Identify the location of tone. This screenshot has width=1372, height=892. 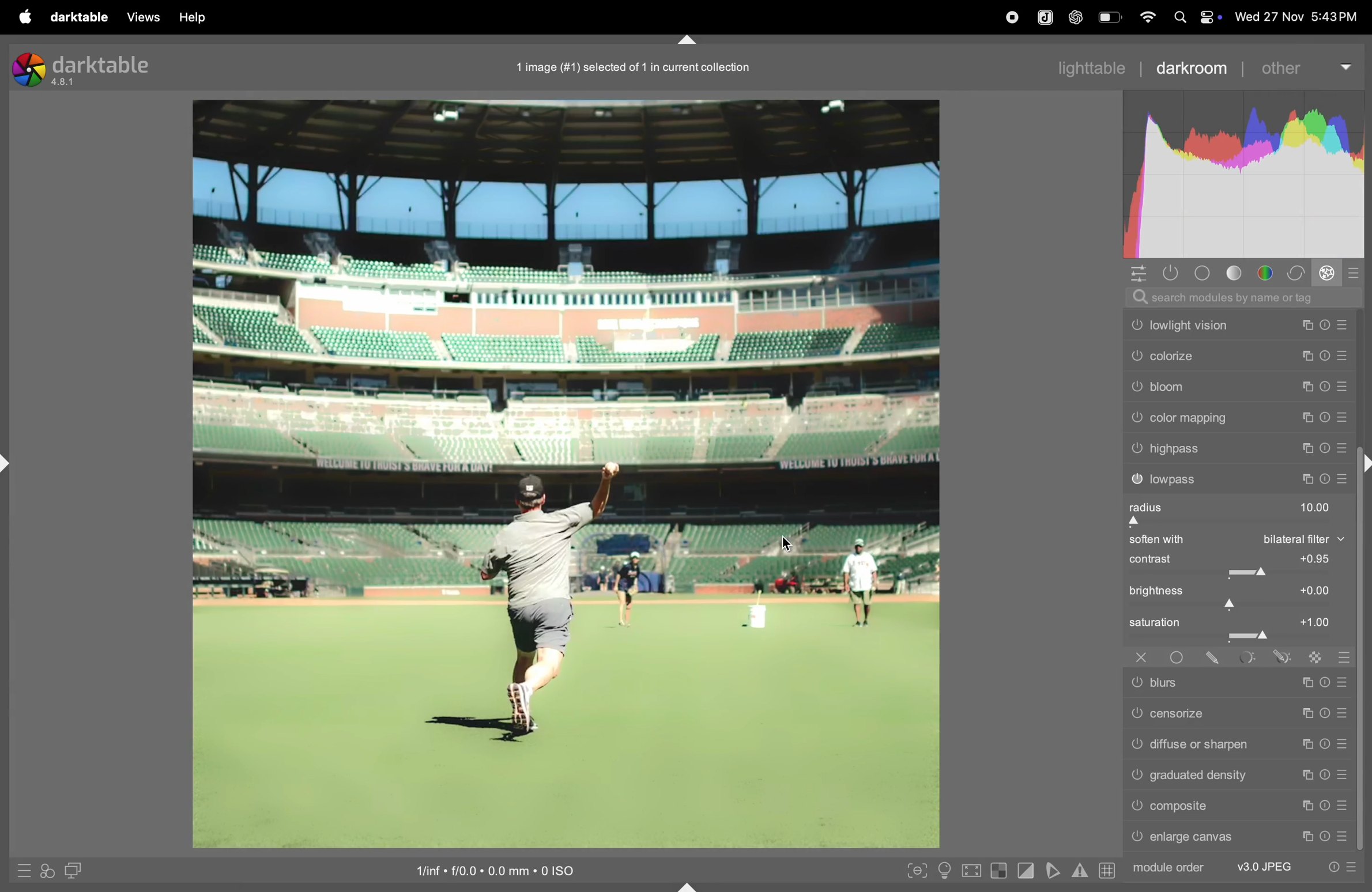
(1238, 273).